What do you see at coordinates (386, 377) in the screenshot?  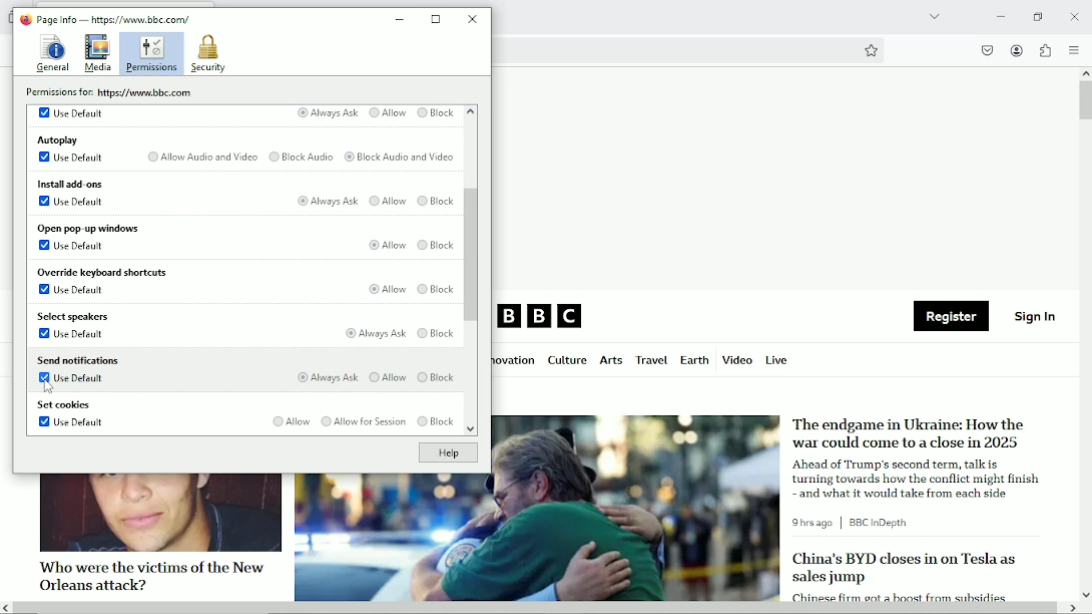 I see `Allow` at bounding box center [386, 377].